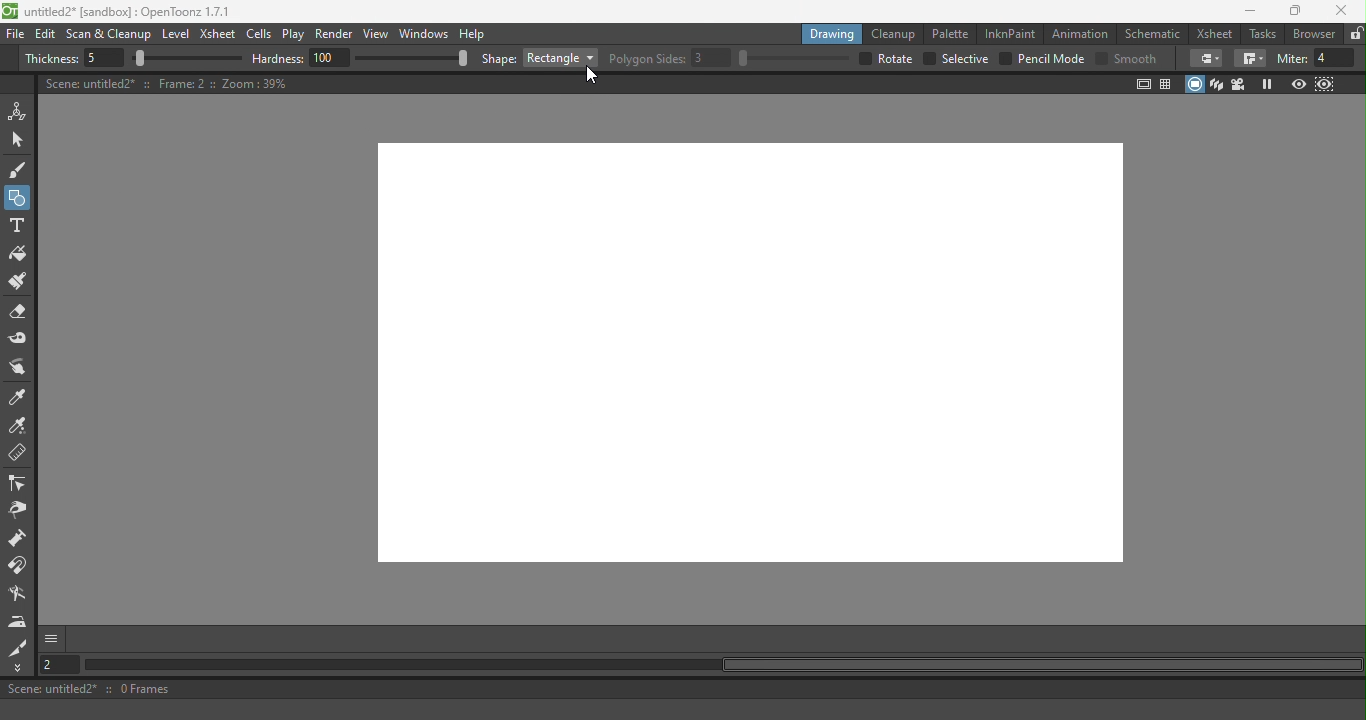 The height and width of the screenshot is (720, 1366). Describe the element at coordinates (1300, 82) in the screenshot. I see `Preview` at that location.